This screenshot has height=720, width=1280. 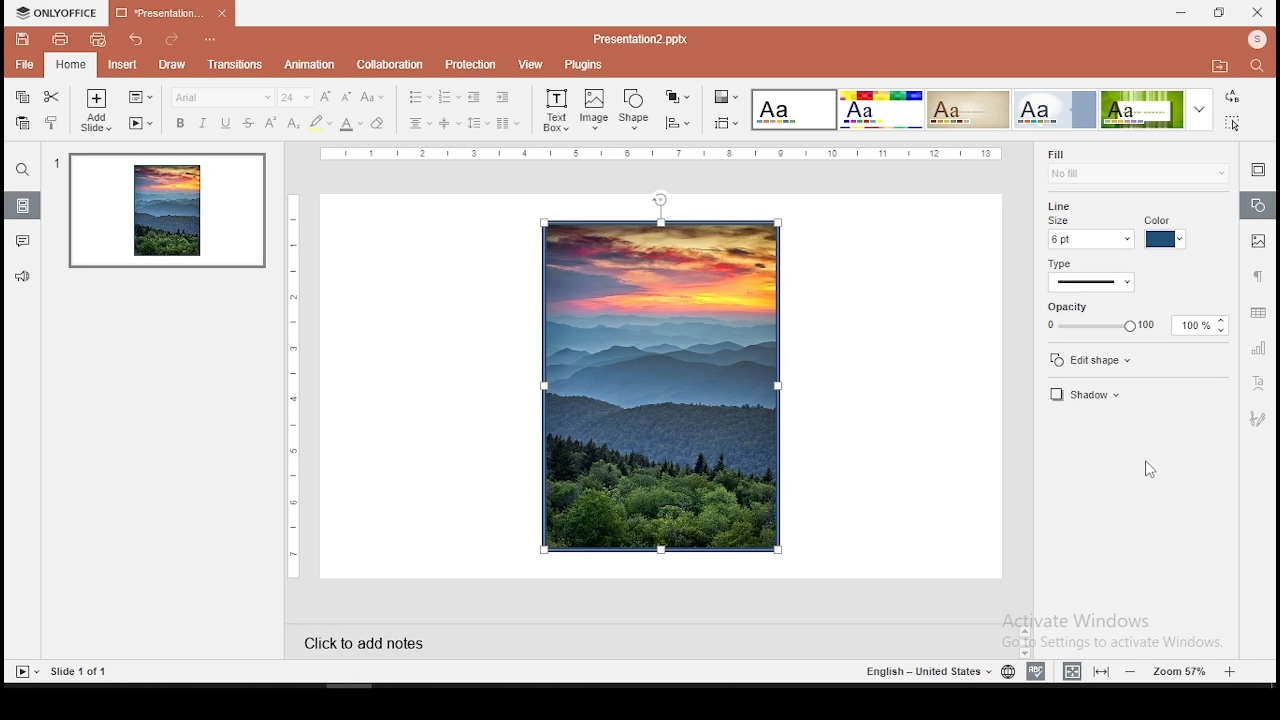 I want to click on find, so click(x=1258, y=66).